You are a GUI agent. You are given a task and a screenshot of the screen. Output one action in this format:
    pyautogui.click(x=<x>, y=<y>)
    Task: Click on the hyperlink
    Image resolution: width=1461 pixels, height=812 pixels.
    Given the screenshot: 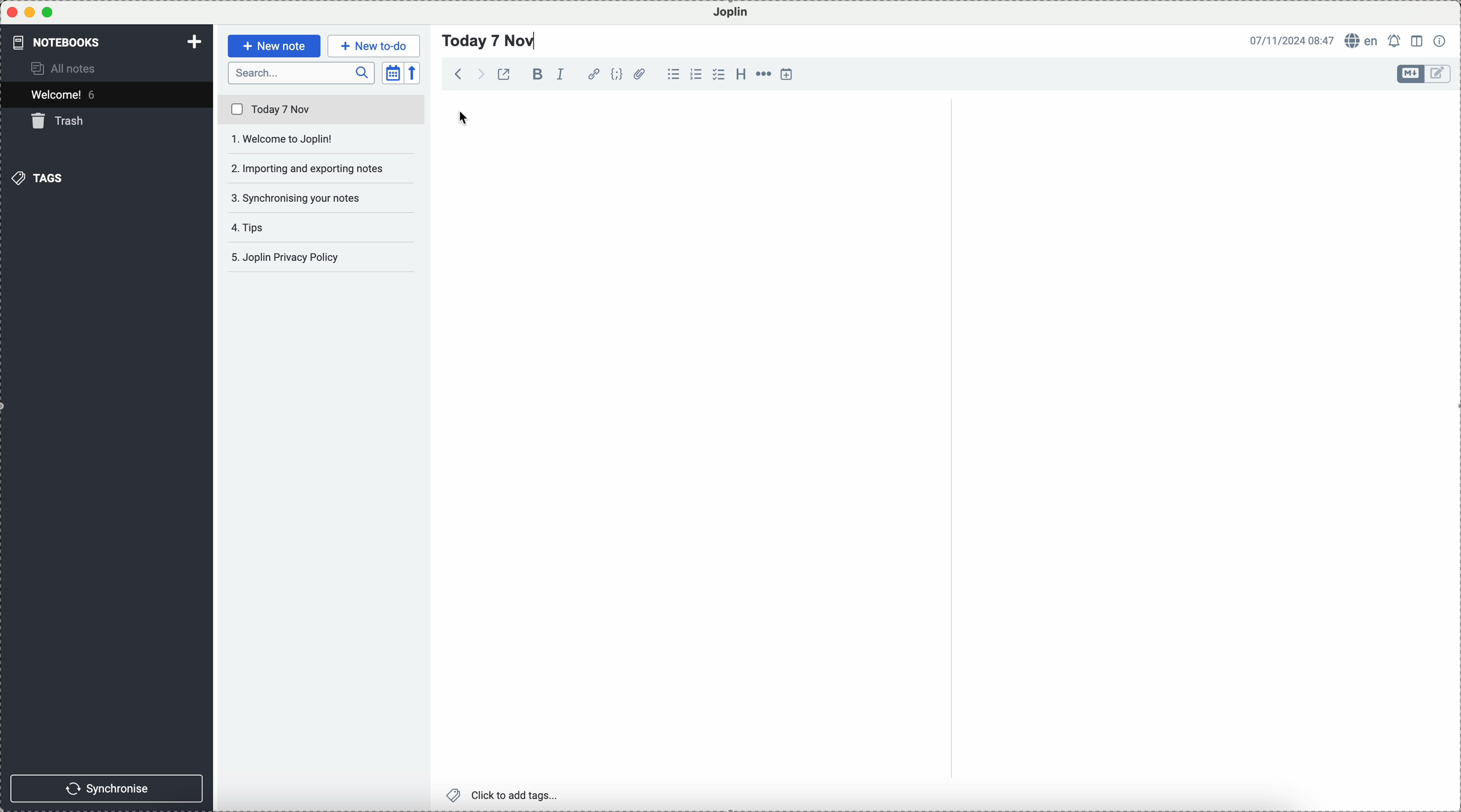 What is the action you would take?
    pyautogui.click(x=594, y=74)
    